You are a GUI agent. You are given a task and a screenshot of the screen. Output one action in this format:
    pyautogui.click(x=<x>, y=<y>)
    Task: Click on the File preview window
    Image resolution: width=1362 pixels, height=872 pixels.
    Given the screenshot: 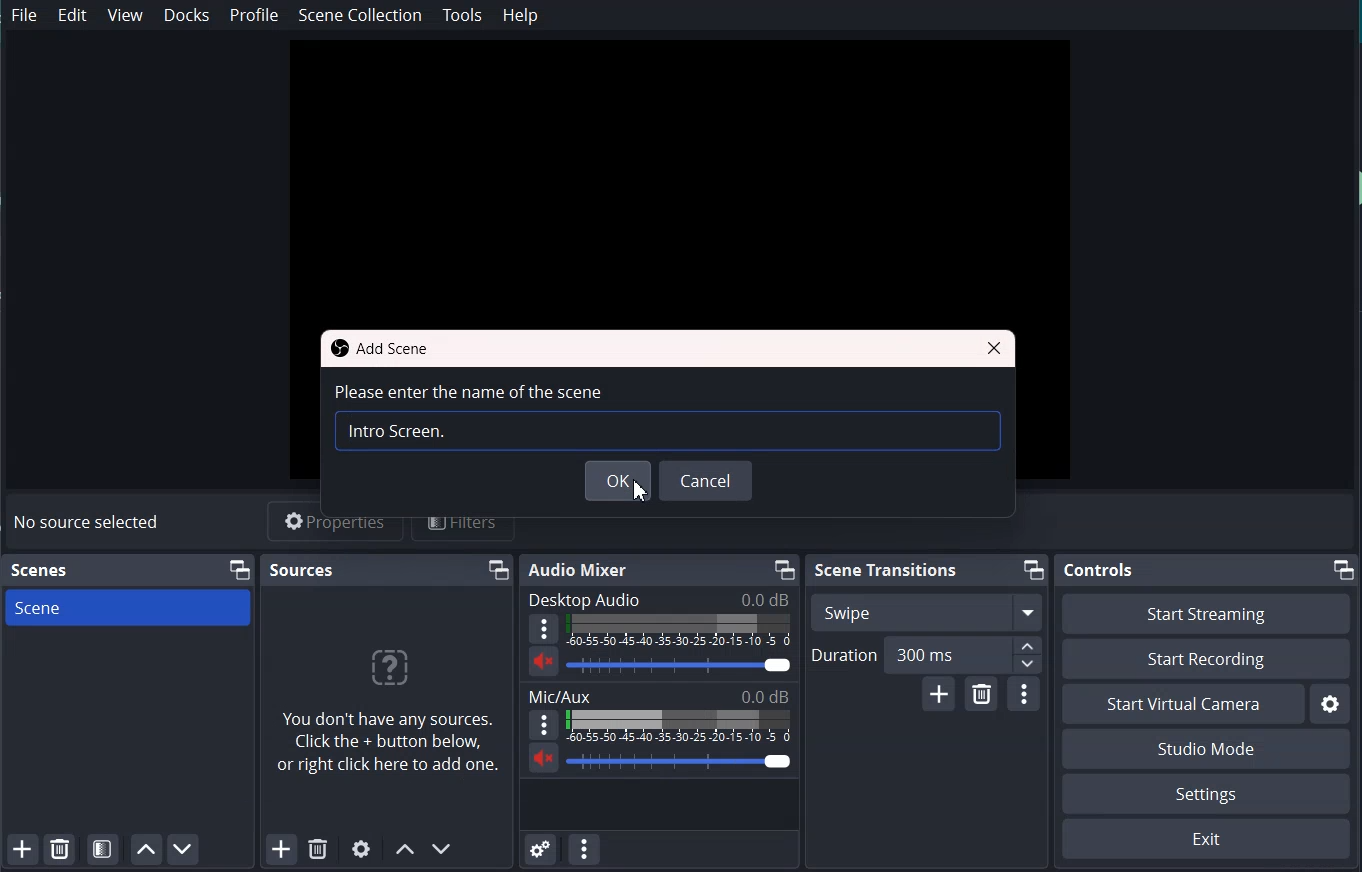 What is the action you would take?
    pyautogui.click(x=679, y=174)
    